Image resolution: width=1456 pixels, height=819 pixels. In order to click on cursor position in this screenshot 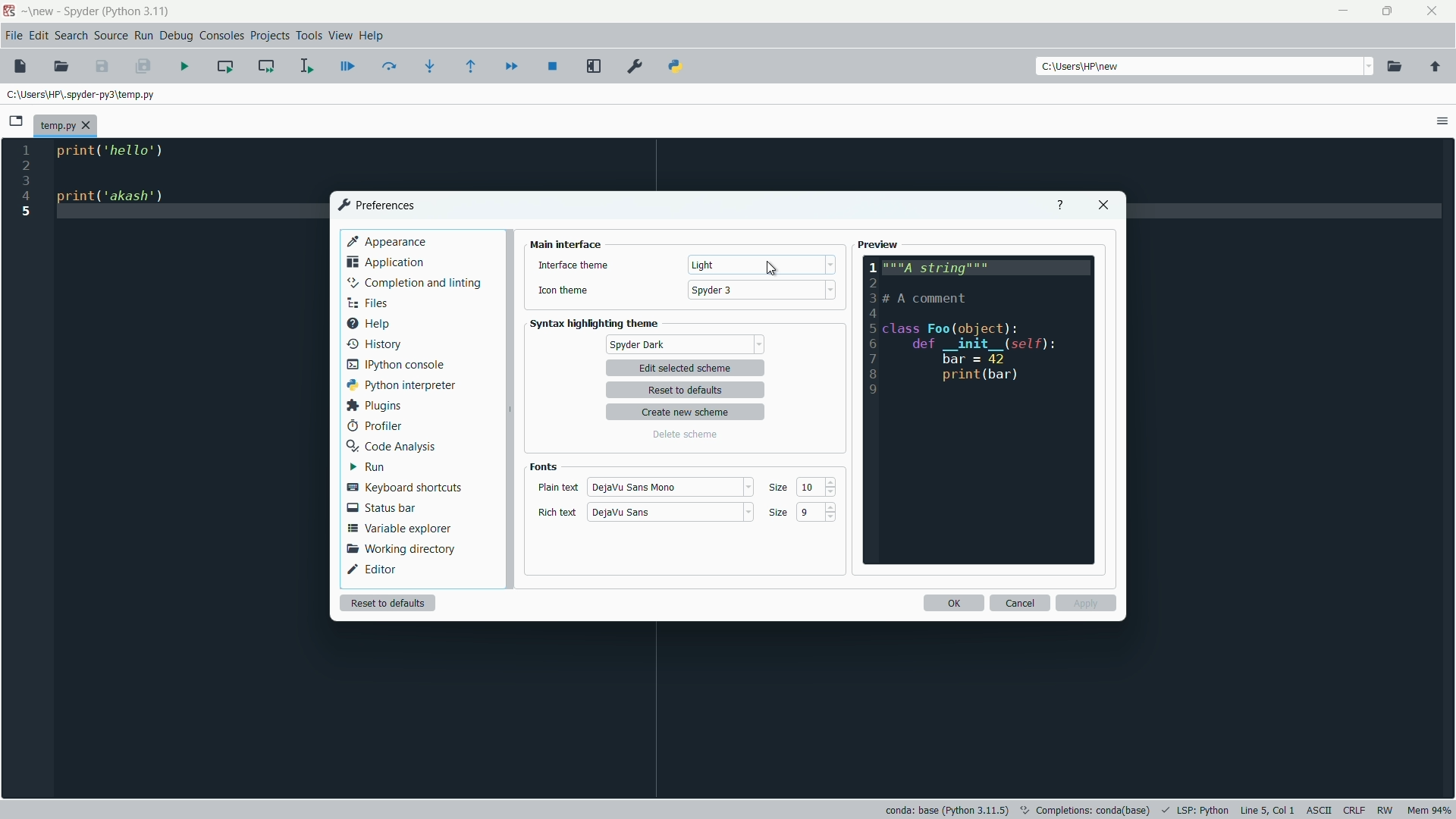, I will do `click(1267, 810)`.